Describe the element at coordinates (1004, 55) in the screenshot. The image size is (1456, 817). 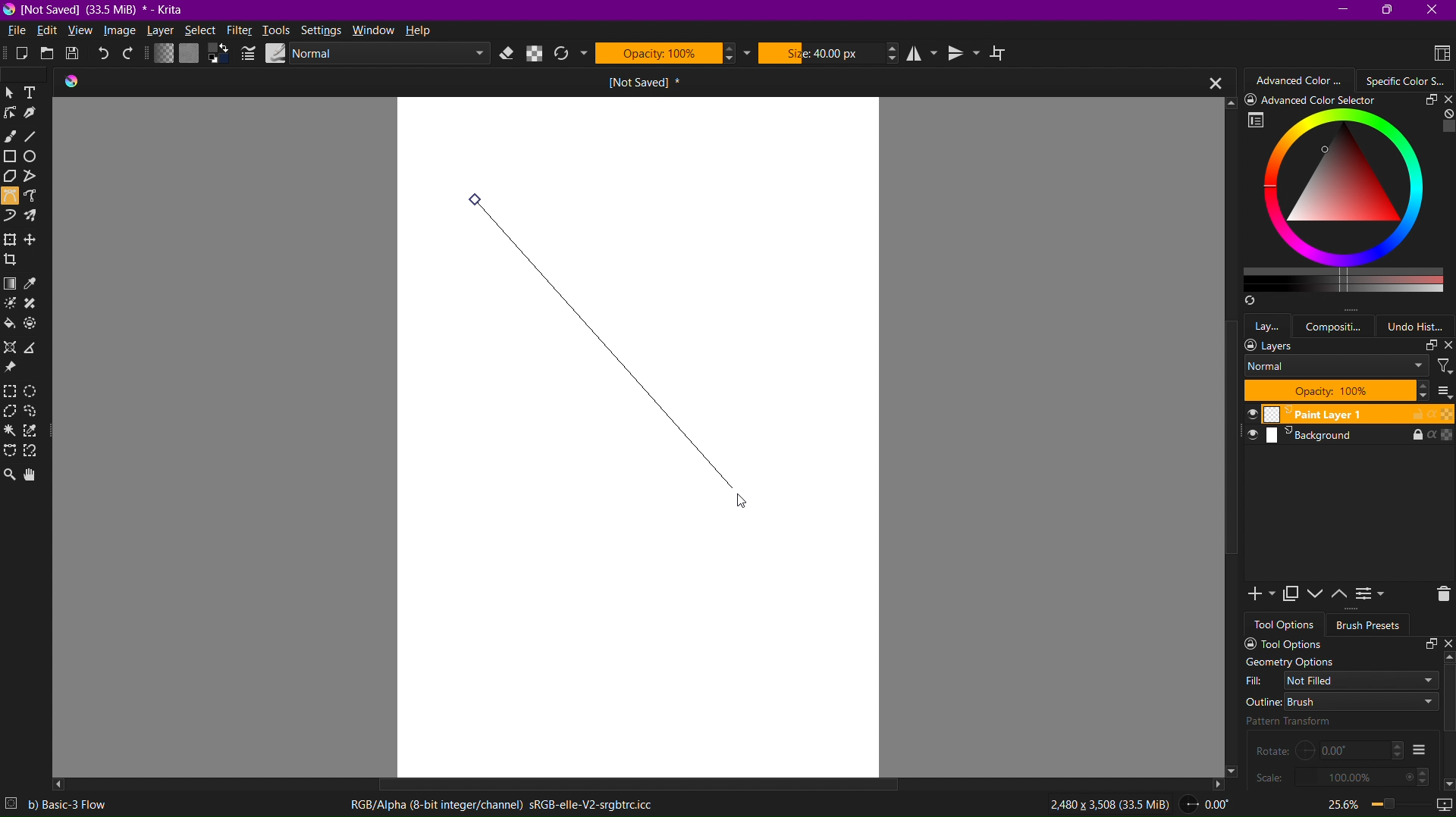
I see `Wrap Around Mode` at that location.